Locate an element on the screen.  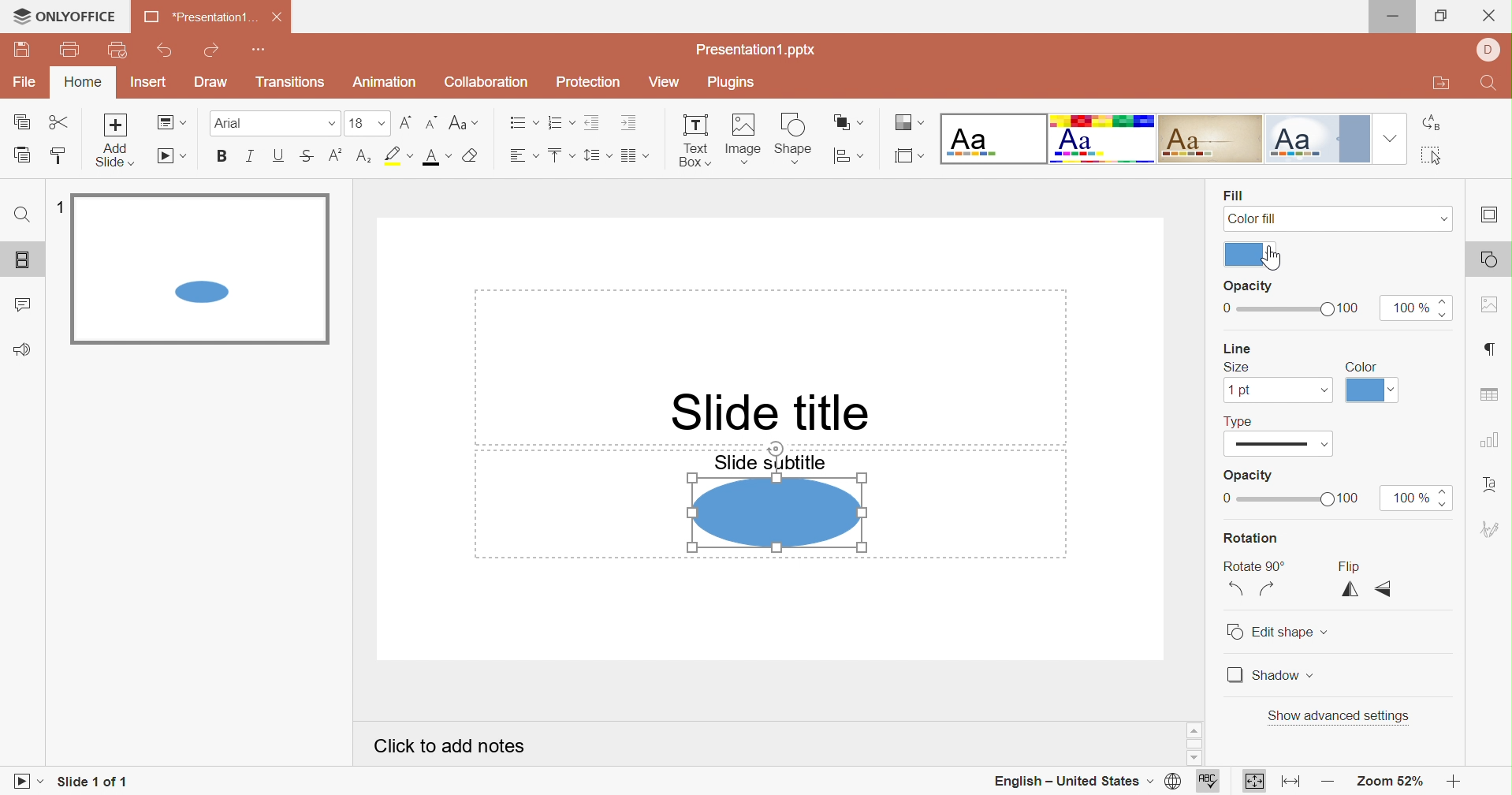
Flip is located at coordinates (1349, 567).